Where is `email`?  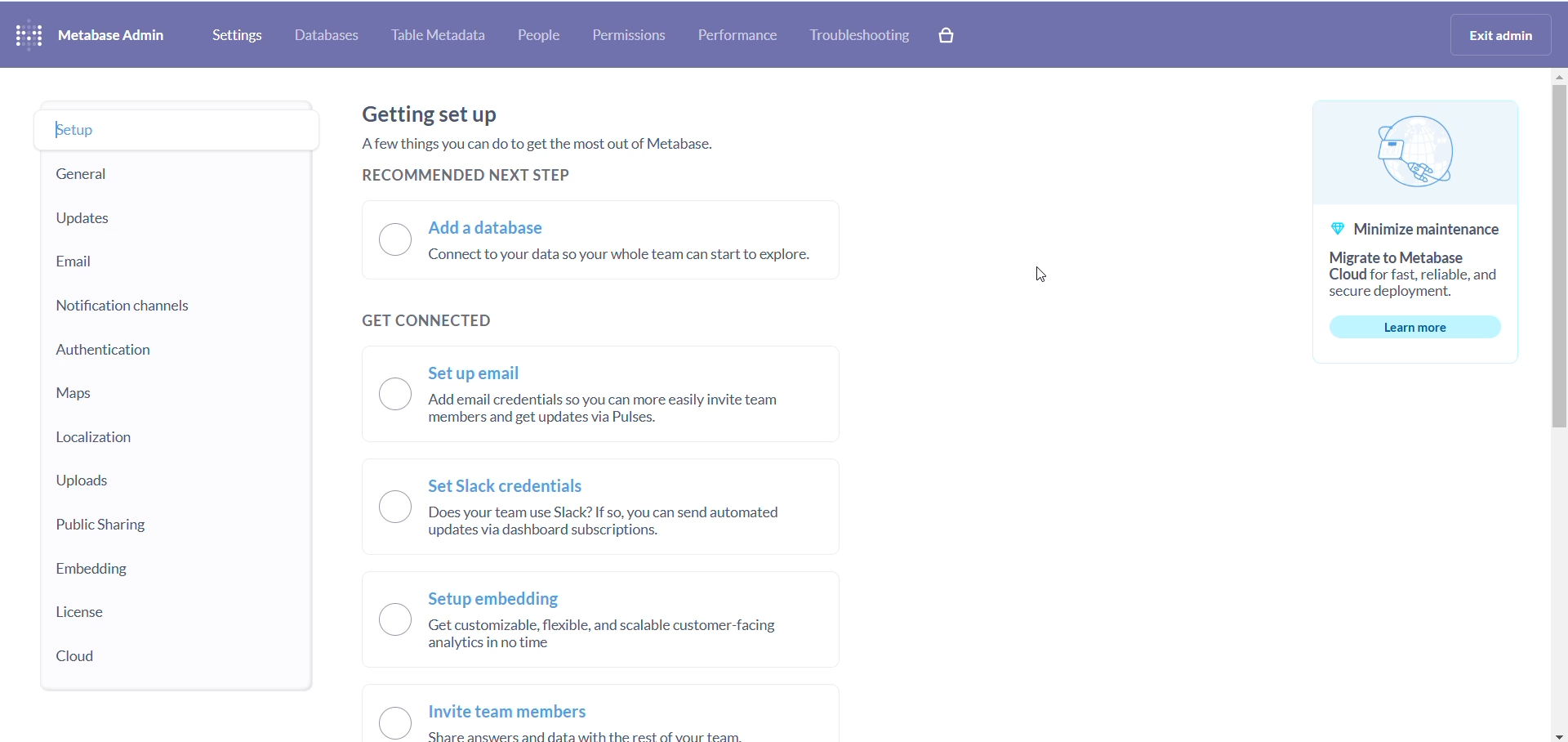
email is located at coordinates (82, 260).